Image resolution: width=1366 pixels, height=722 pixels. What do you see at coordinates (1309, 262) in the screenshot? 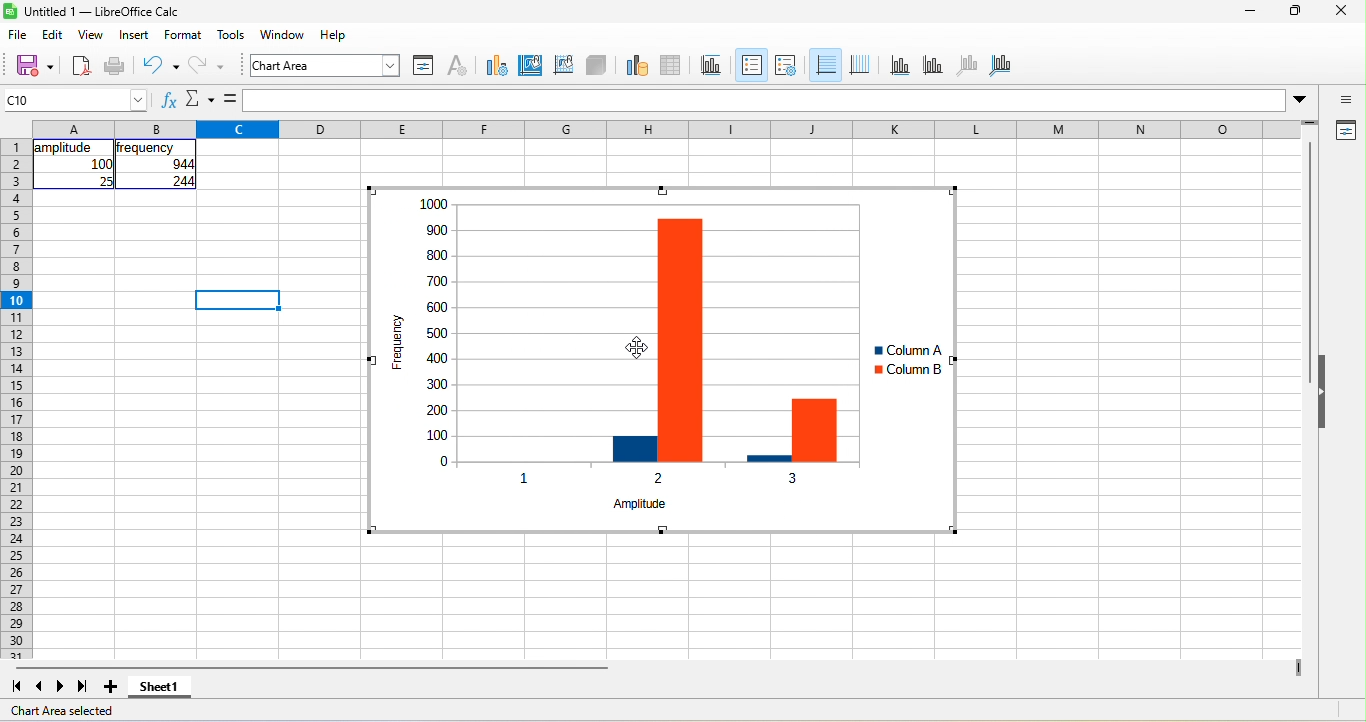
I see `Vertical slide bar` at bounding box center [1309, 262].